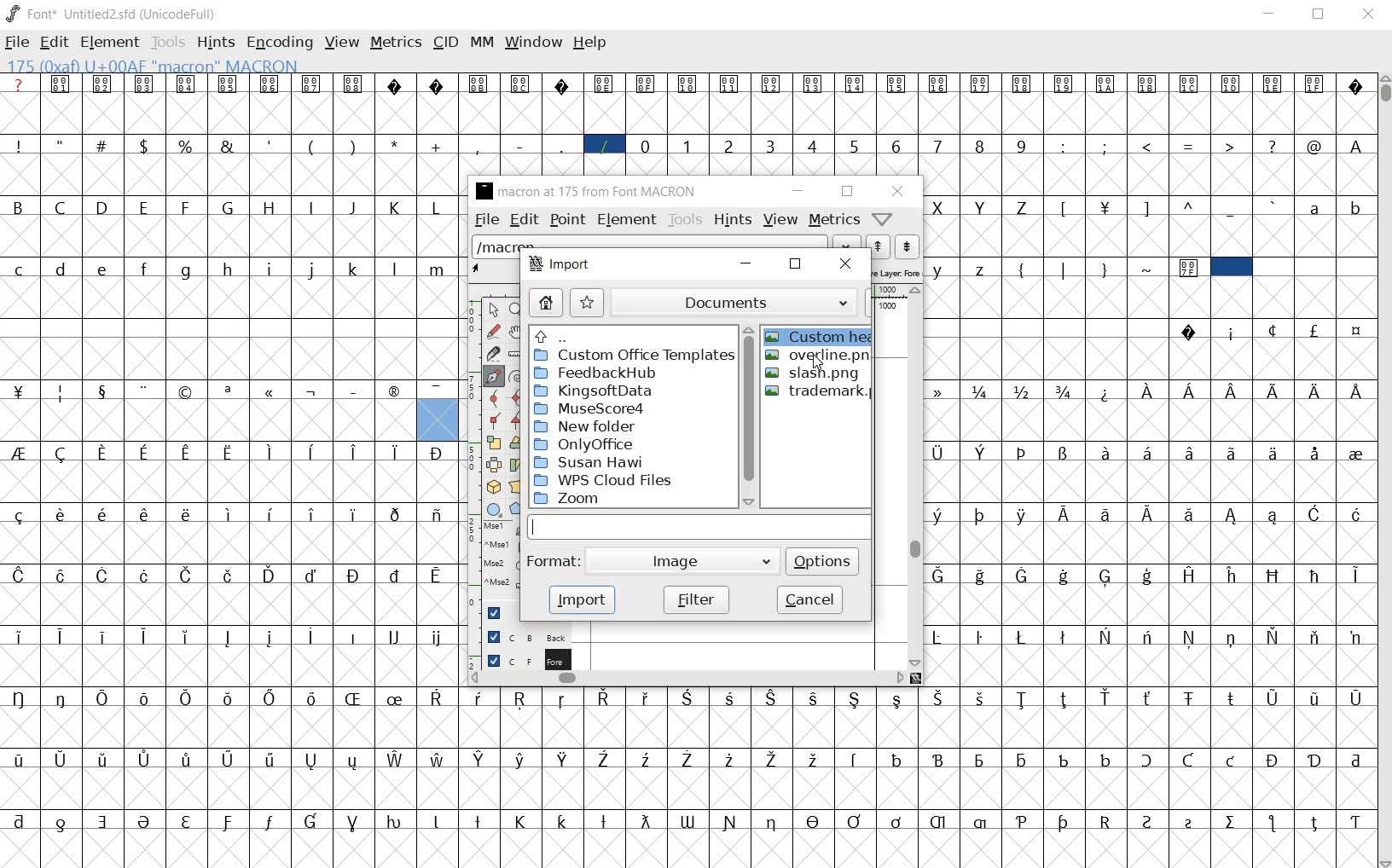 Image resolution: width=1392 pixels, height=868 pixels. Describe the element at coordinates (1106, 391) in the screenshot. I see `Symbol` at that location.